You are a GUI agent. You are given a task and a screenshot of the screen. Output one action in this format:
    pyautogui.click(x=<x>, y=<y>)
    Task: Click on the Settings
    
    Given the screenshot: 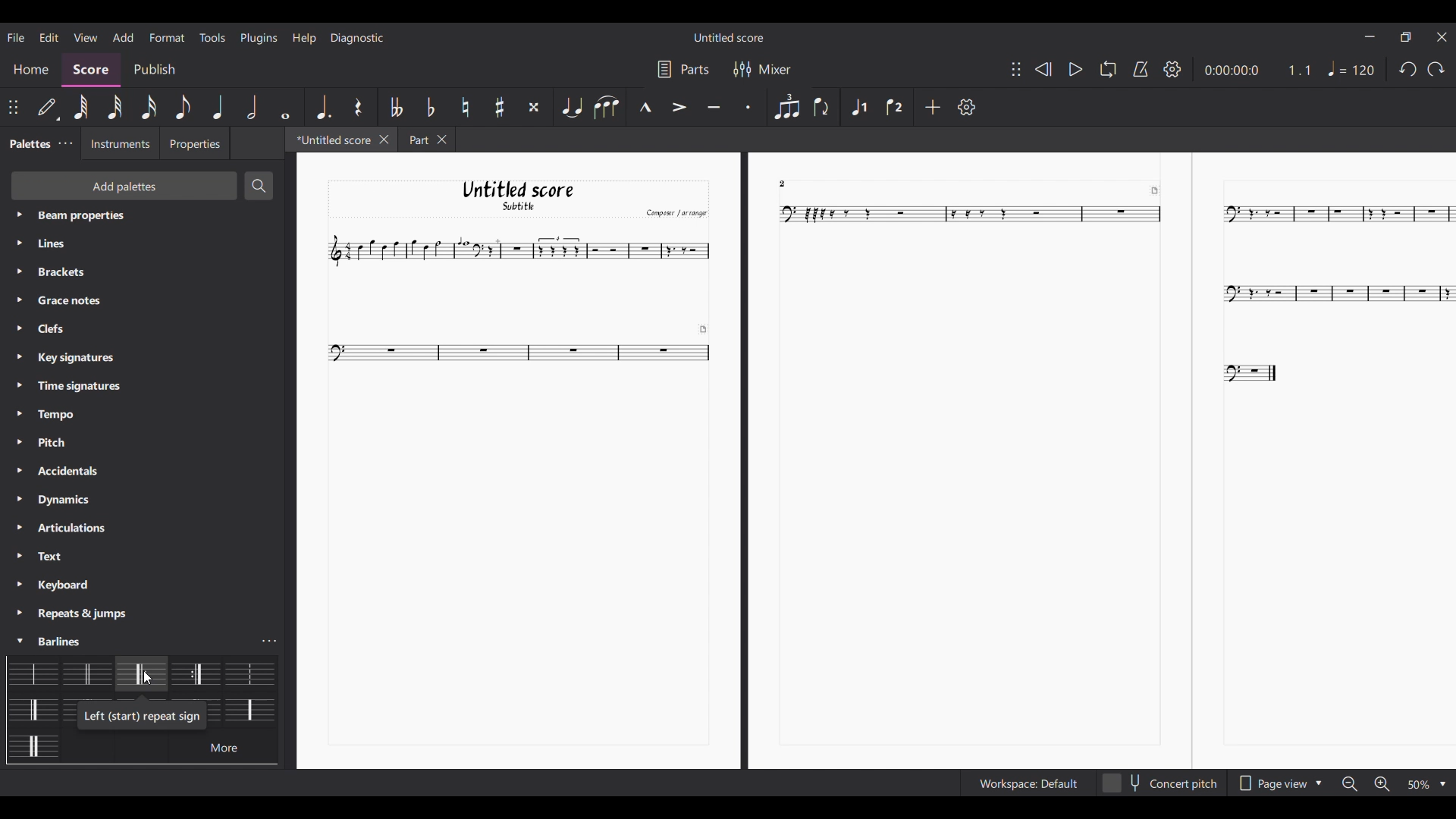 What is the action you would take?
    pyautogui.click(x=1172, y=69)
    